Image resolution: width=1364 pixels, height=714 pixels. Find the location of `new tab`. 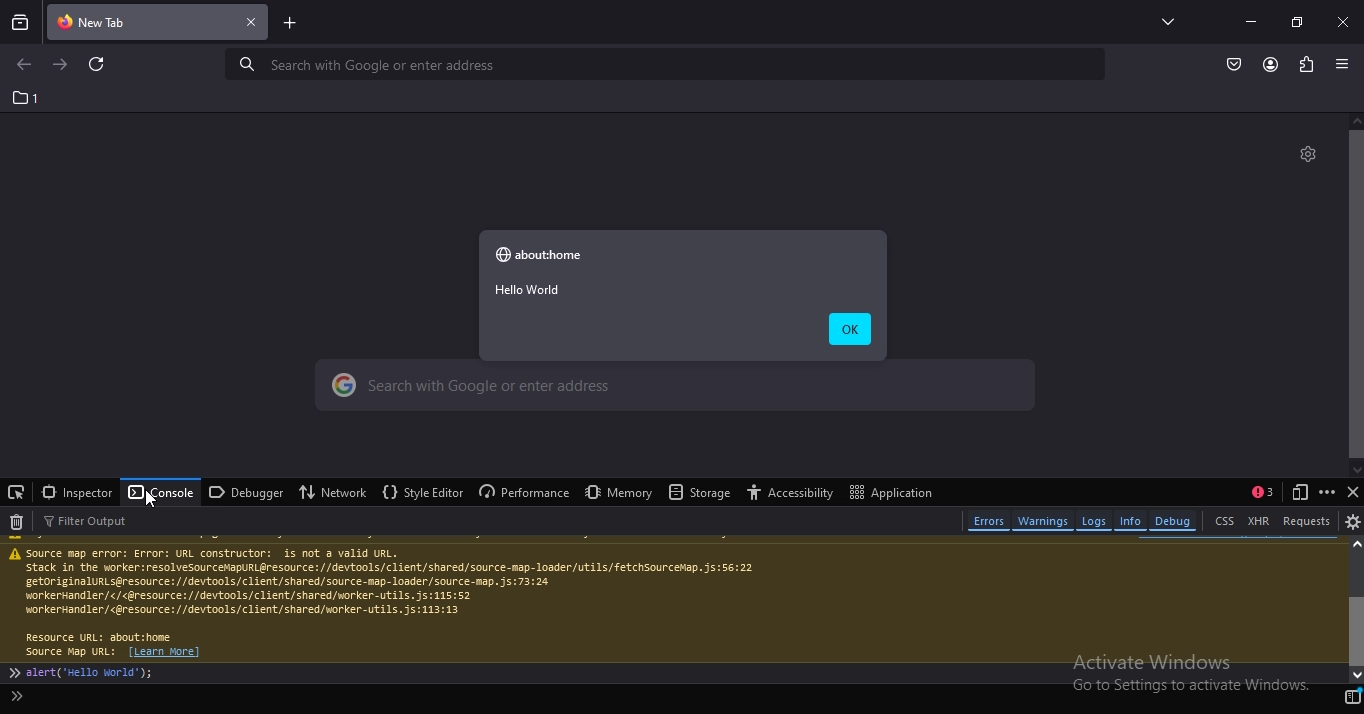

new tab is located at coordinates (290, 22).